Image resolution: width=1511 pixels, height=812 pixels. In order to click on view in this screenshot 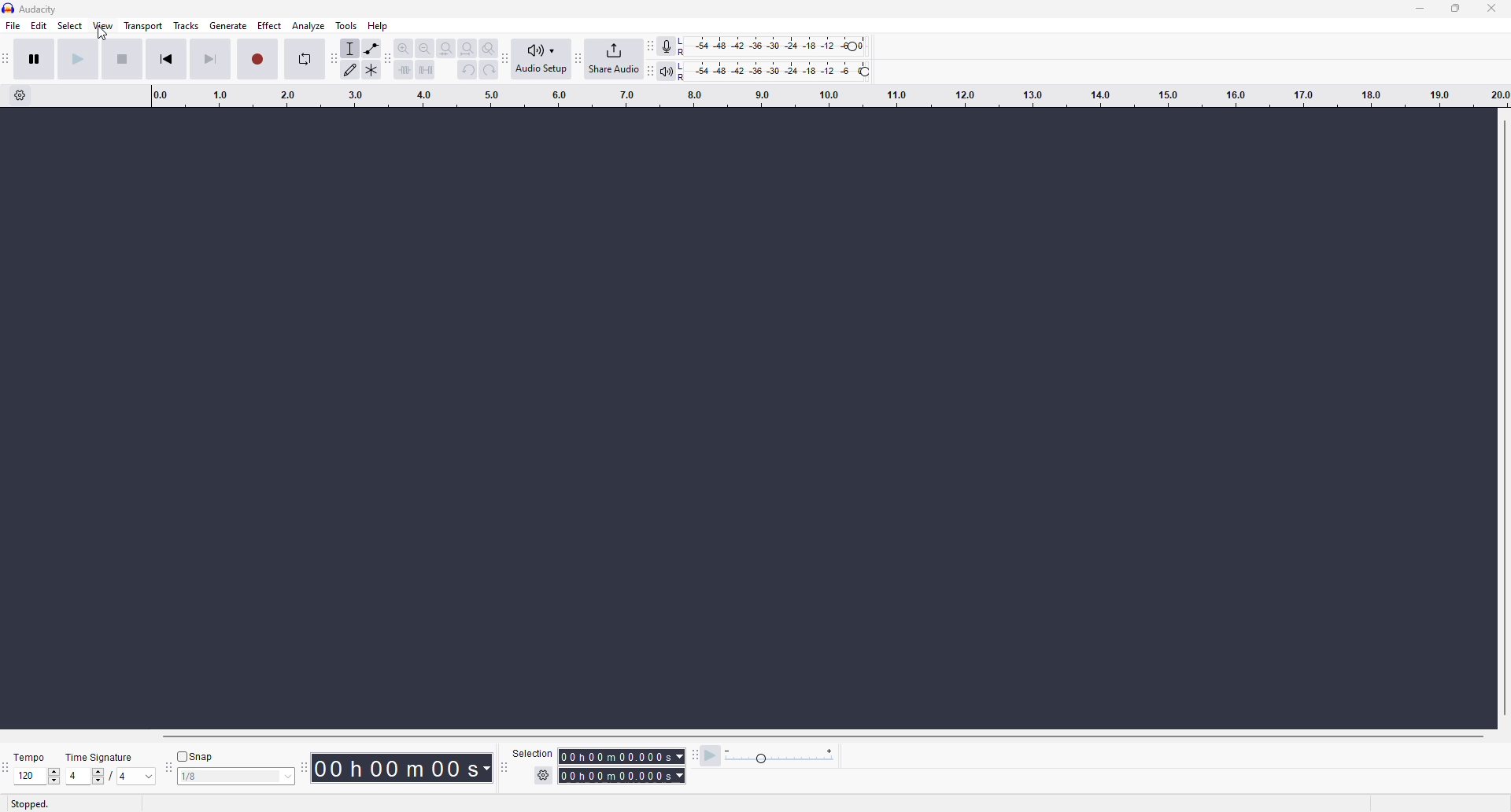, I will do `click(104, 26)`.